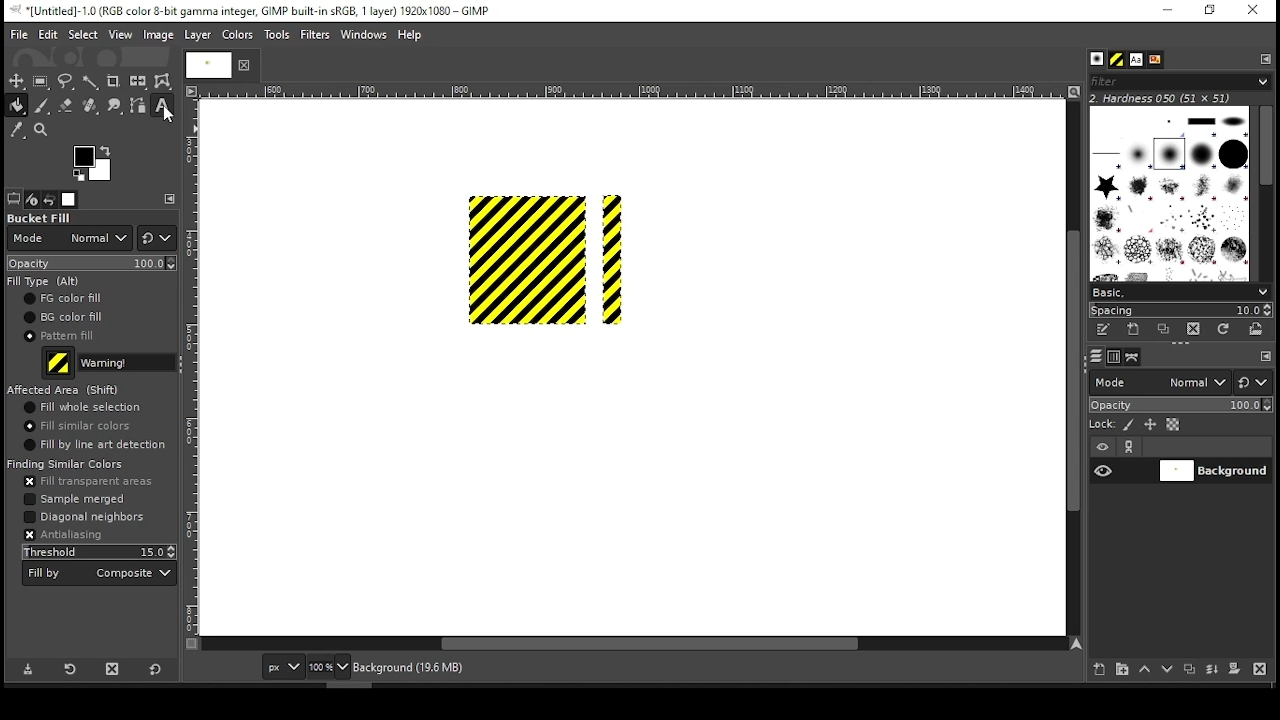  I want to click on switch to different modes, so click(157, 238).